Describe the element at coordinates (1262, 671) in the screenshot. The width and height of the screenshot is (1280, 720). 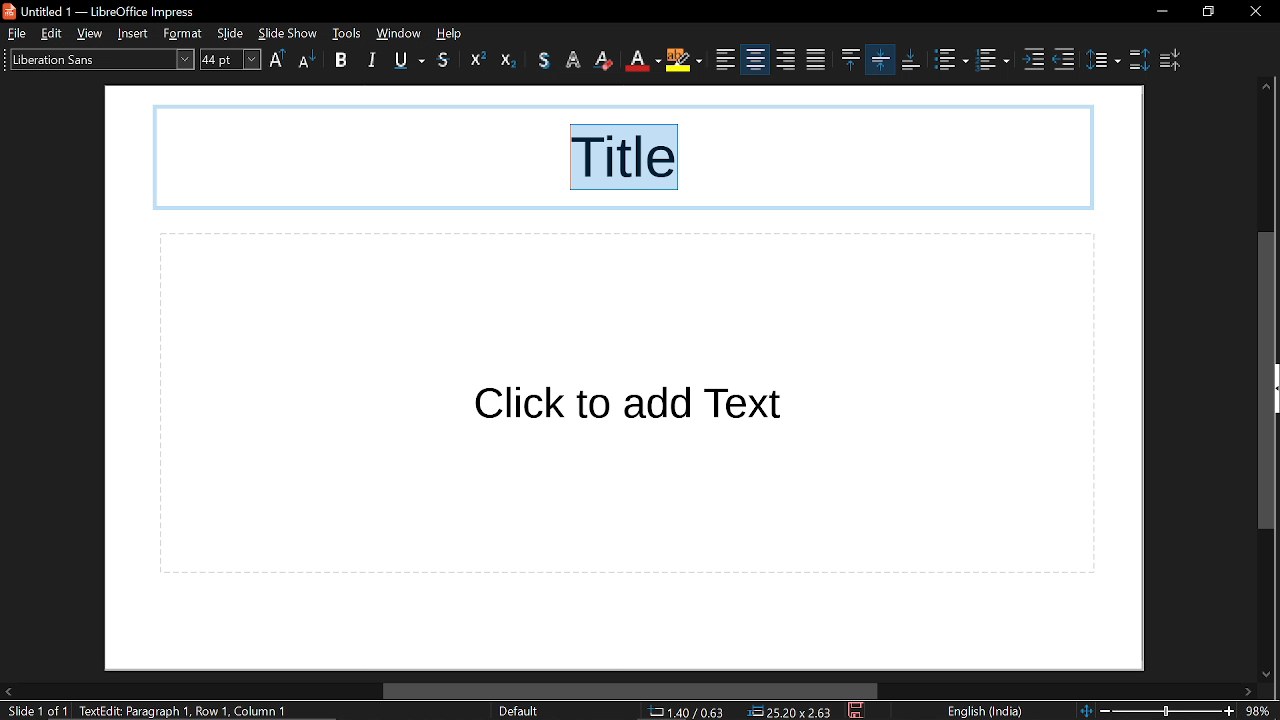
I see `move down` at that location.